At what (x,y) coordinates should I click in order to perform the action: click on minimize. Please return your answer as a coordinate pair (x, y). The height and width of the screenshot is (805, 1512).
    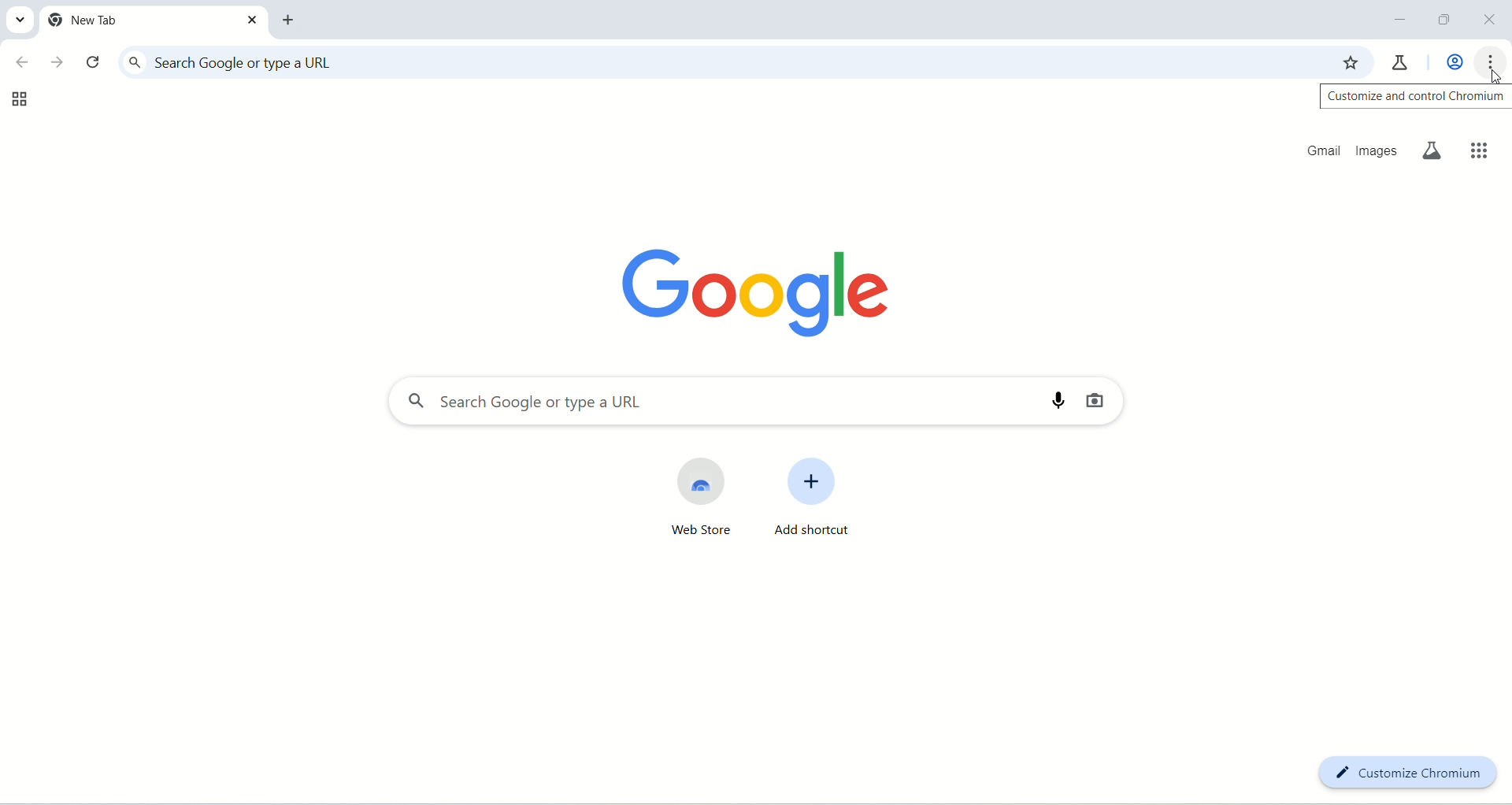
    Looking at the image, I should click on (1400, 20).